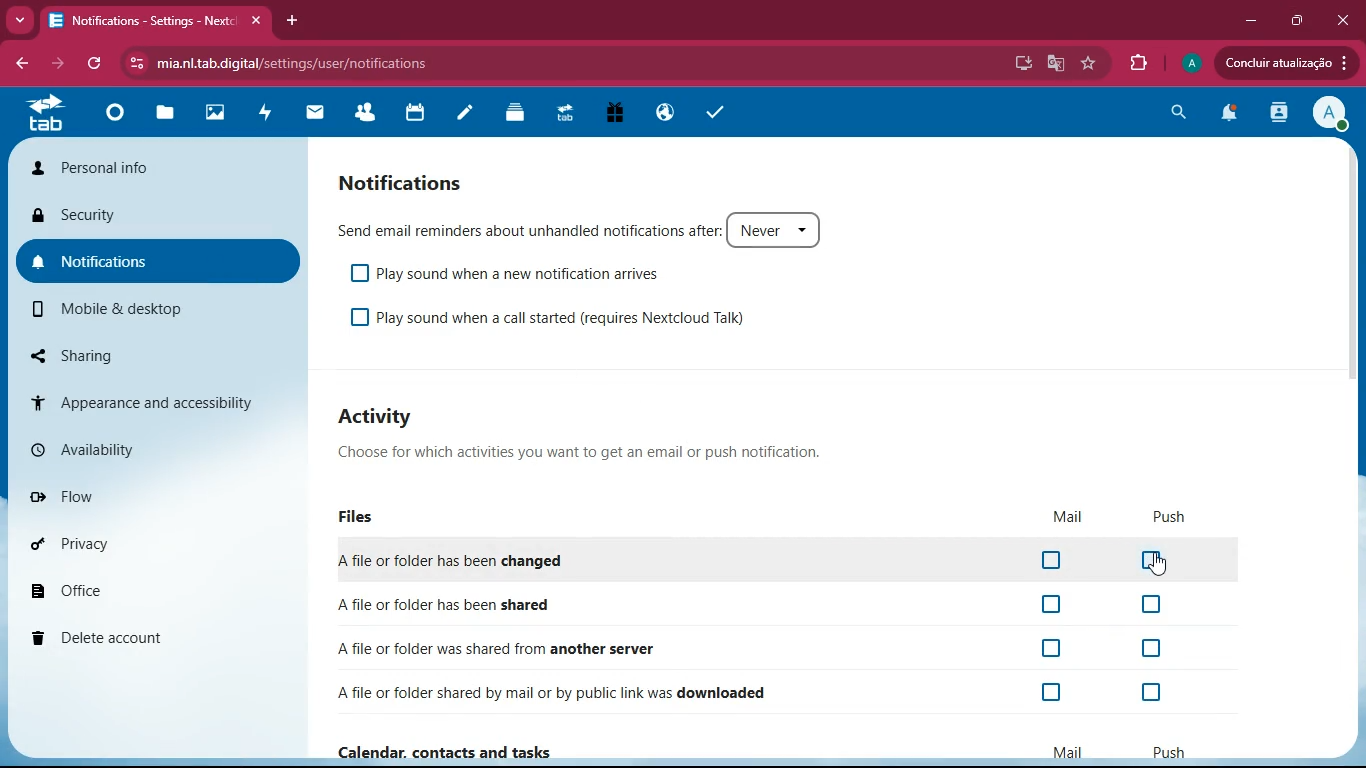 This screenshot has height=768, width=1366. Describe the element at coordinates (1068, 517) in the screenshot. I see `mail` at that location.